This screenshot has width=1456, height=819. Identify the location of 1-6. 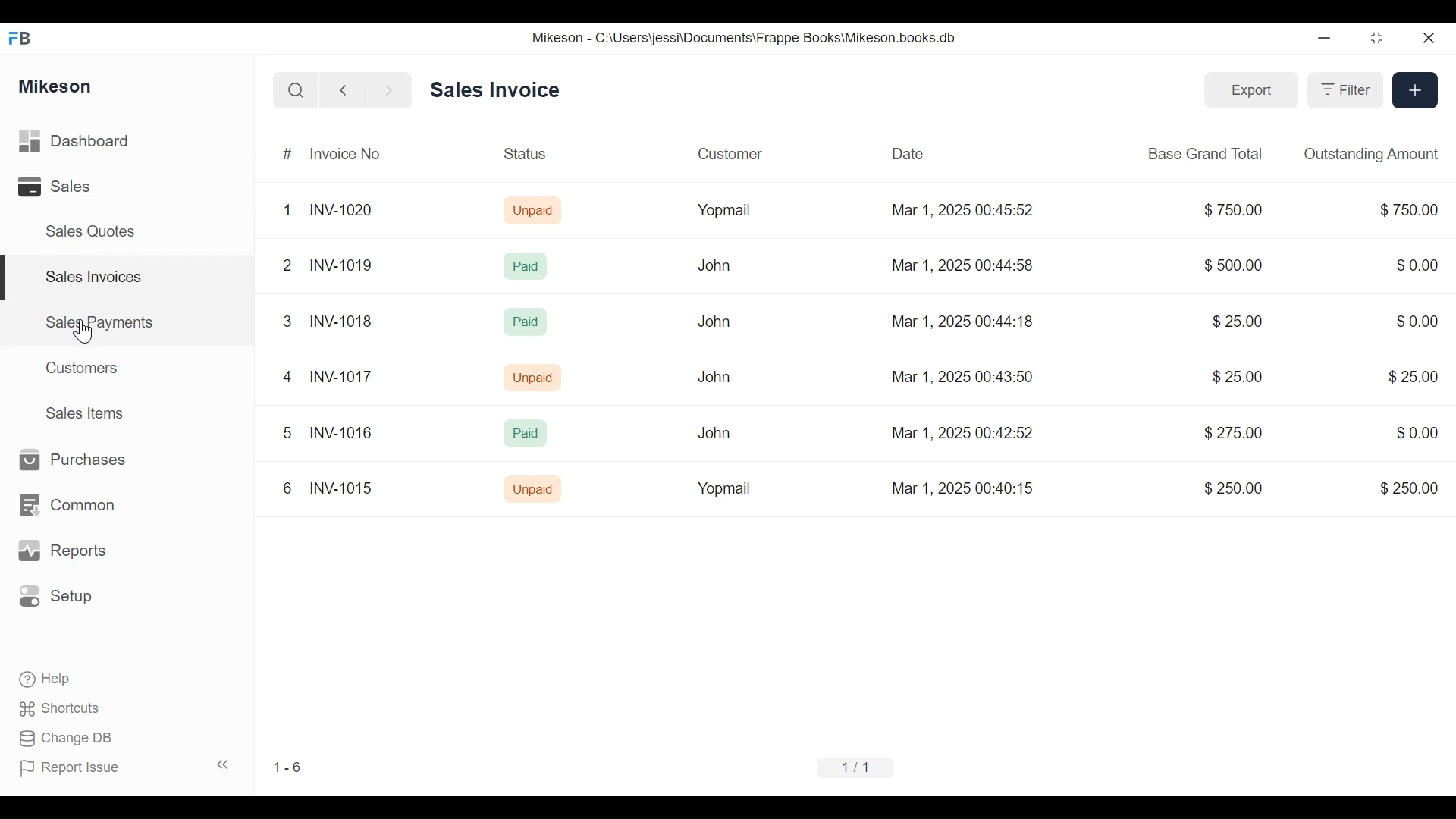
(289, 765).